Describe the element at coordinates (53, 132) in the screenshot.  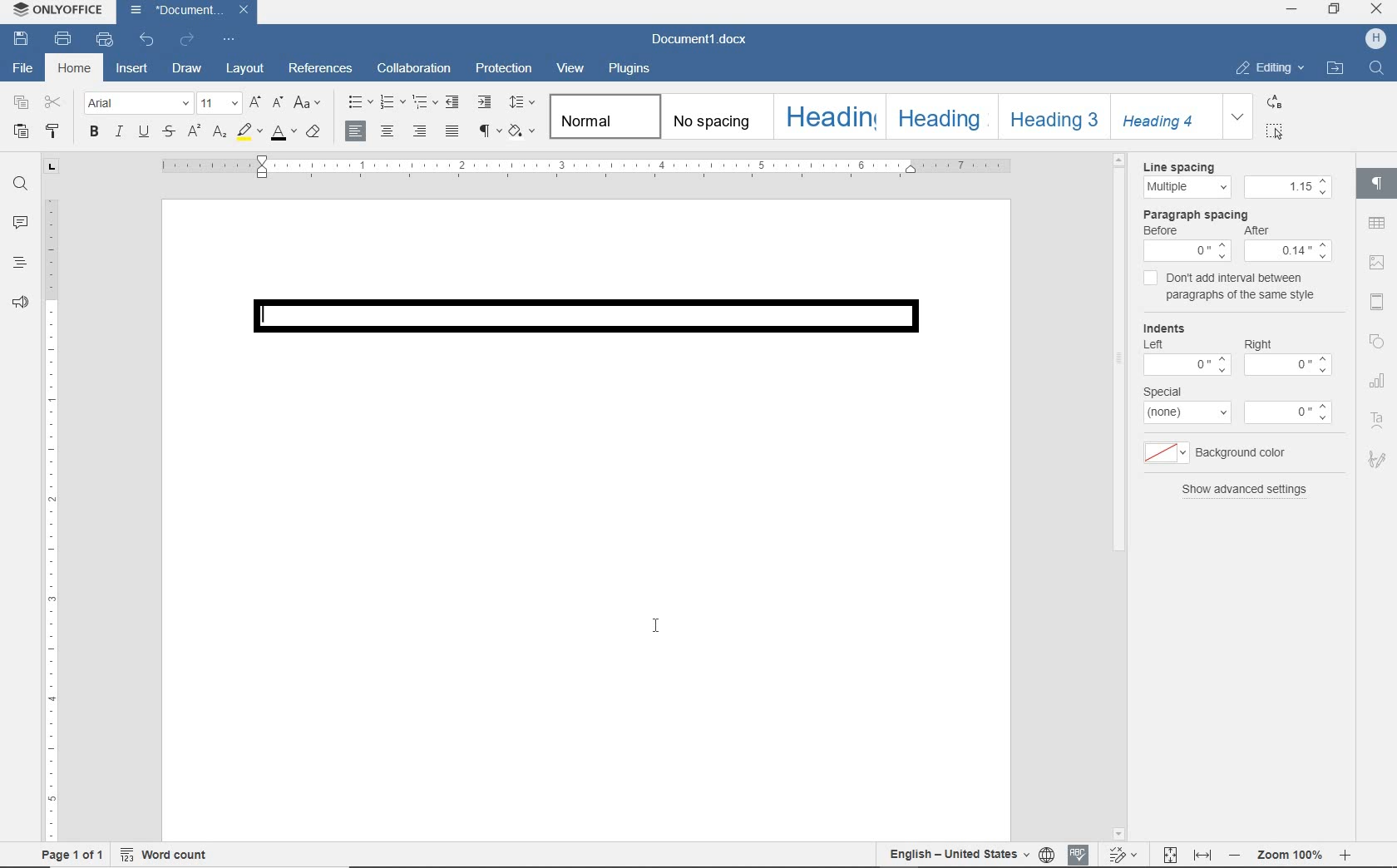
I see `copy style` at that location.